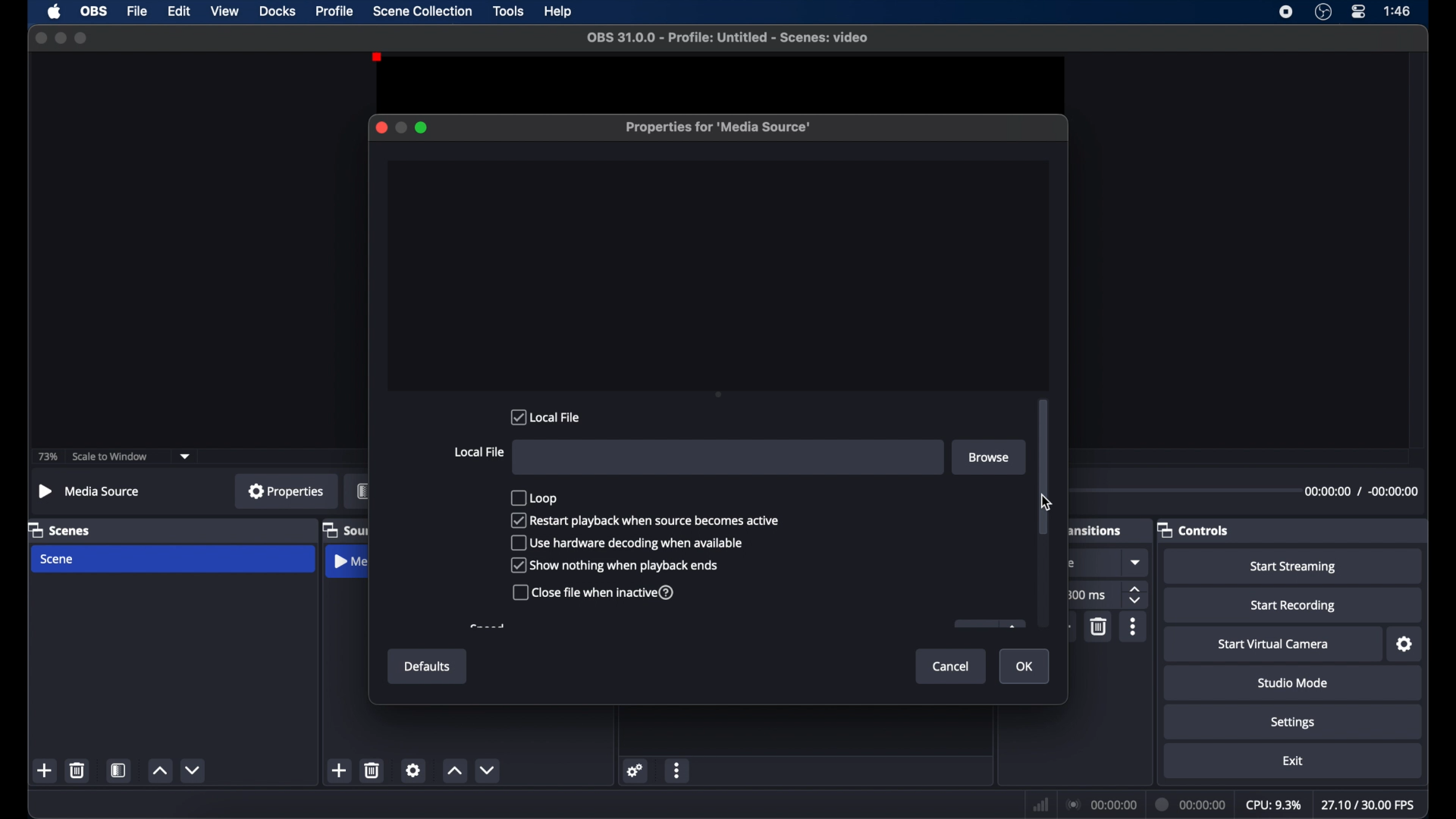 This screenshot has height=819, width=1456. Describe the element at coordinates (185, 457) in the screenshot. I see `dropdown` at that location.